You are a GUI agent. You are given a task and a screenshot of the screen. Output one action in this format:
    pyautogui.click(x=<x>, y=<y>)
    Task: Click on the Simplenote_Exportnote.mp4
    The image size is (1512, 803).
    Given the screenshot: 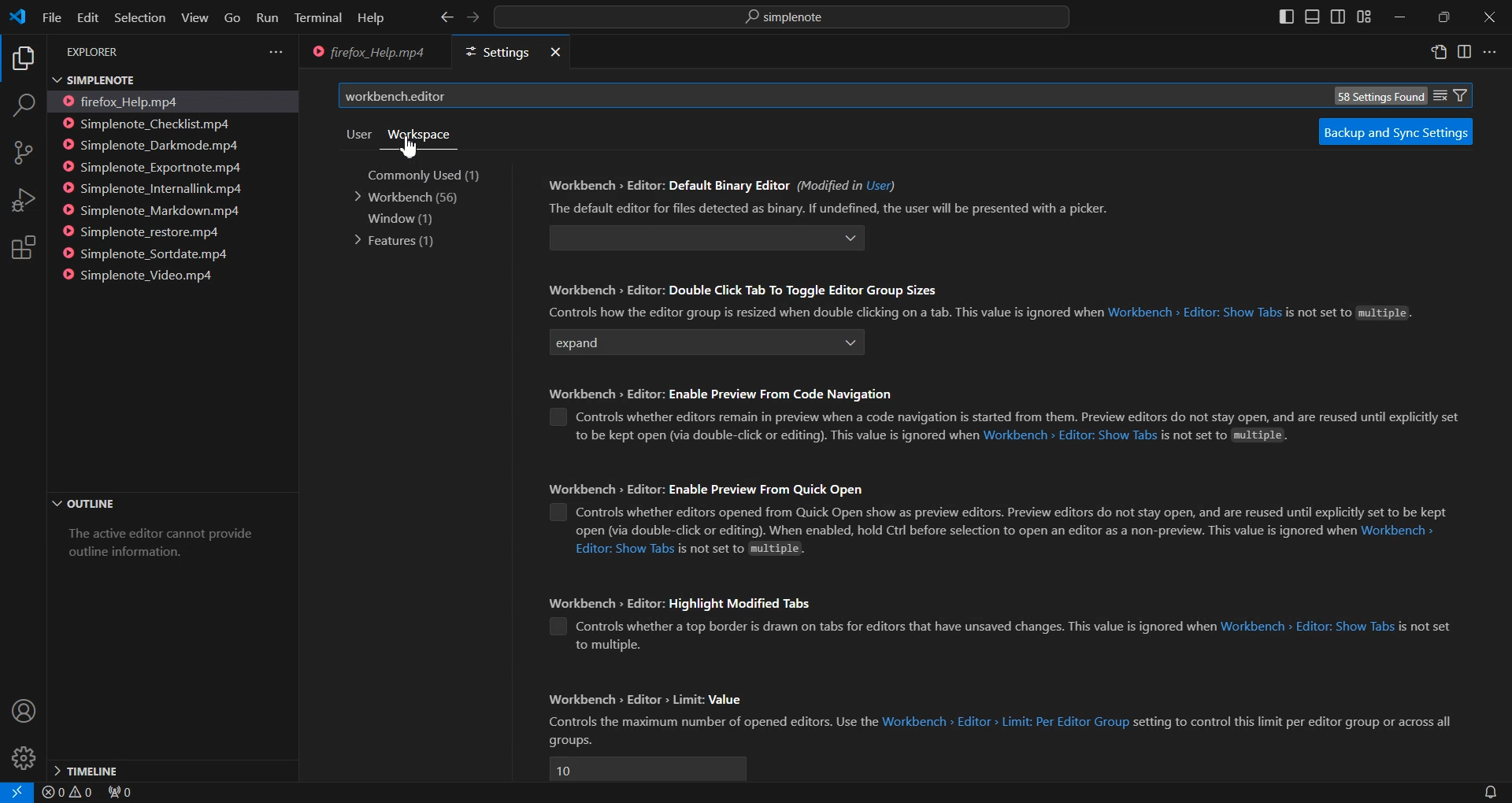 What is the action you would take?
    pyautogui.click(x=154, y=166)
    